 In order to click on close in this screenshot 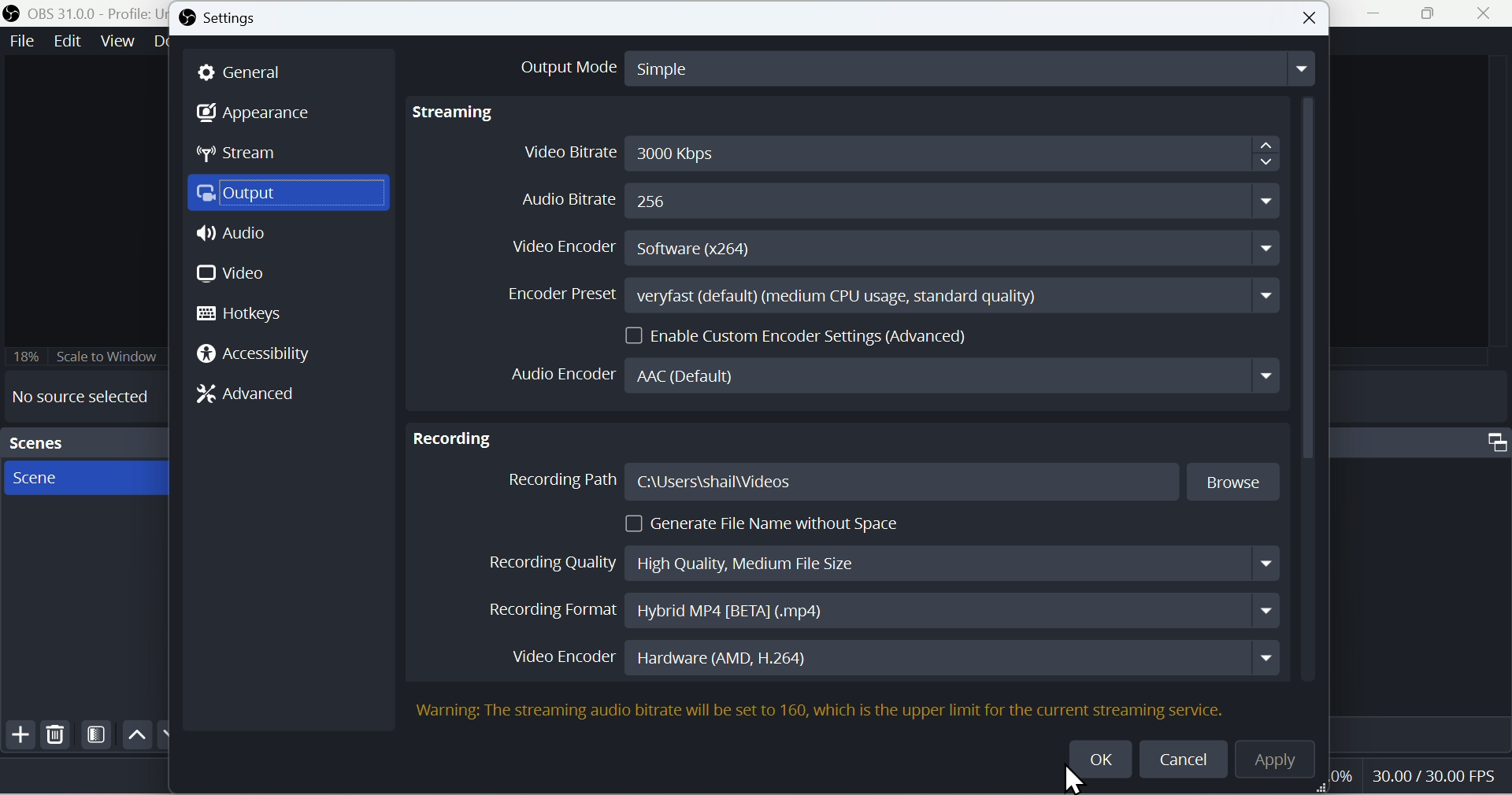, I will do `click(1488, 15)`.